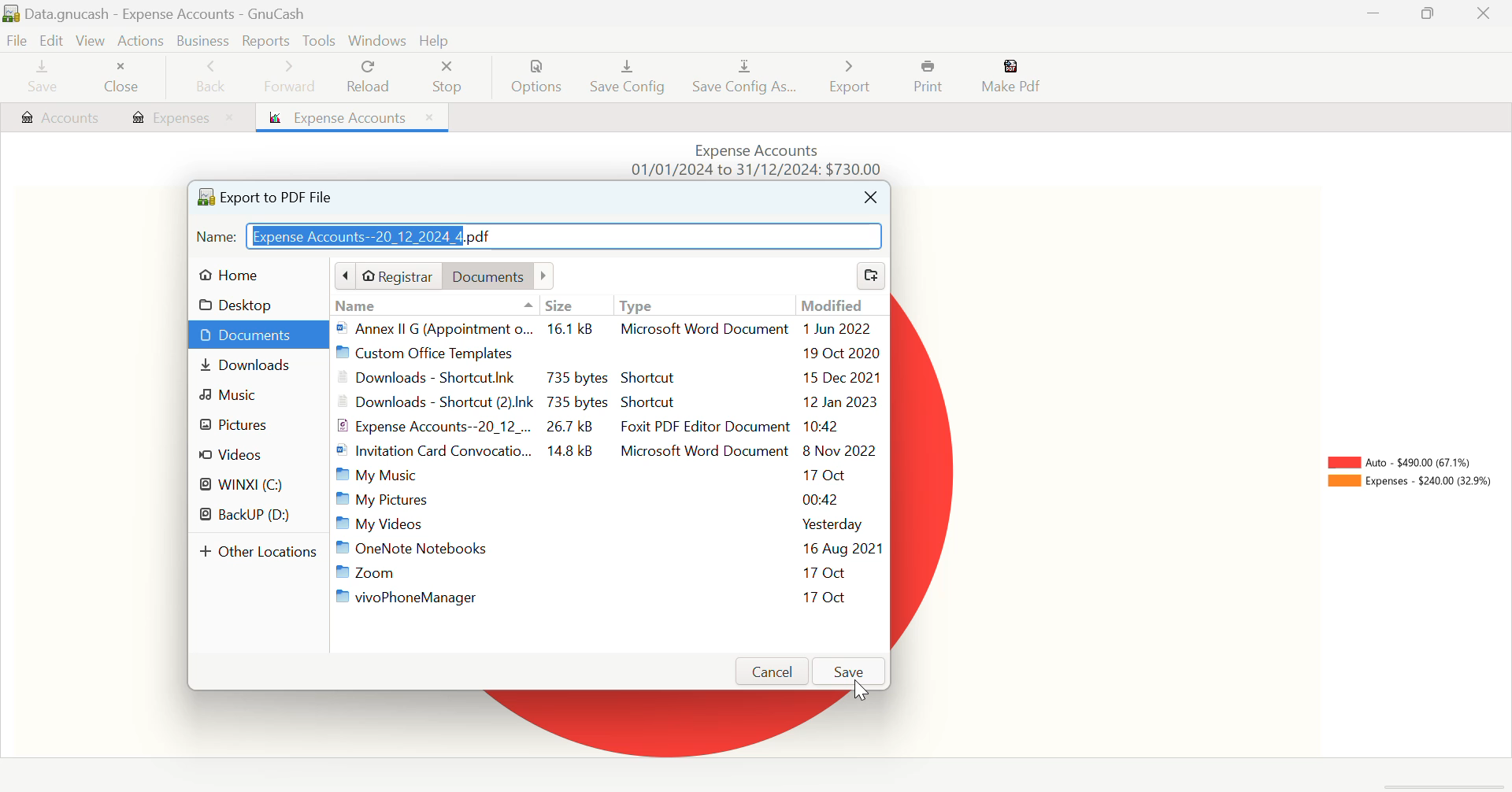 This screenshot has width=1512, height=792. Describe the element at coordinates (60, 119) in the screenshot. I see `Accounts Tab` at that location.